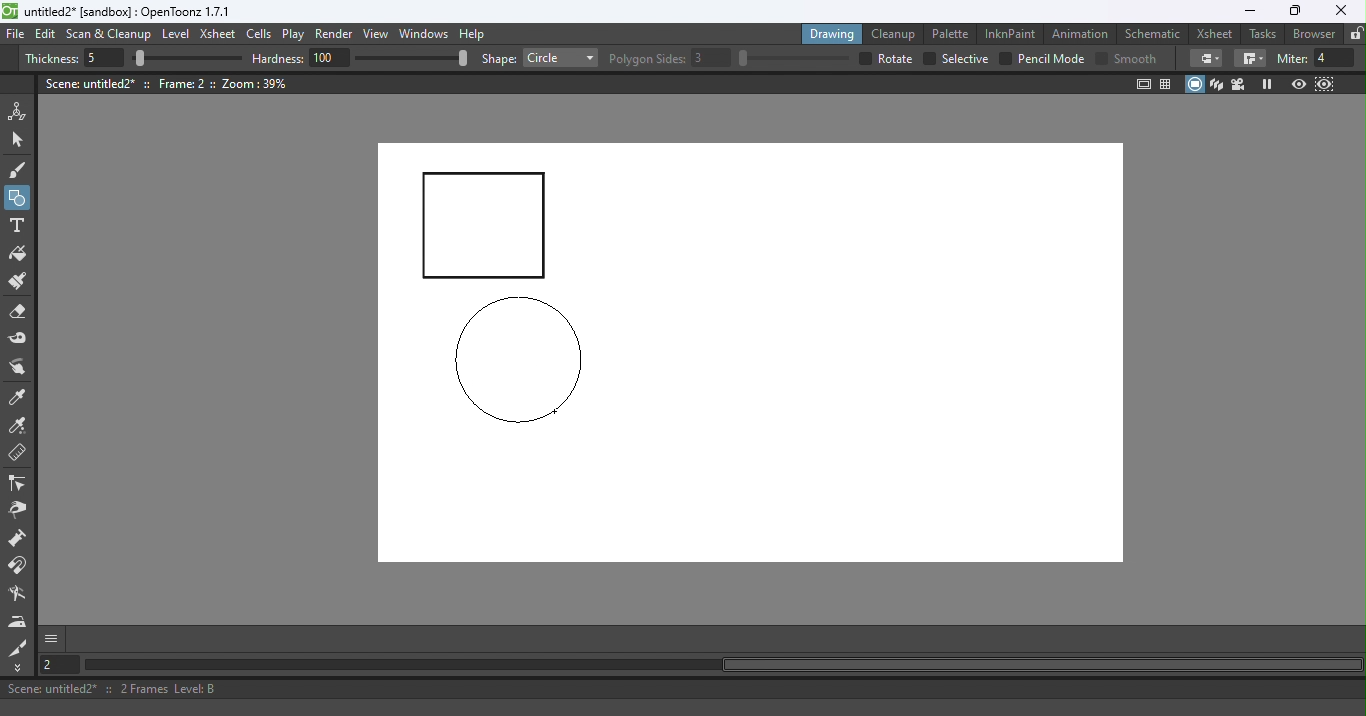 The image size is (1366, 716). Describe the element at coordinates (411, 57) in the screenshot. I see `slider` at that location.